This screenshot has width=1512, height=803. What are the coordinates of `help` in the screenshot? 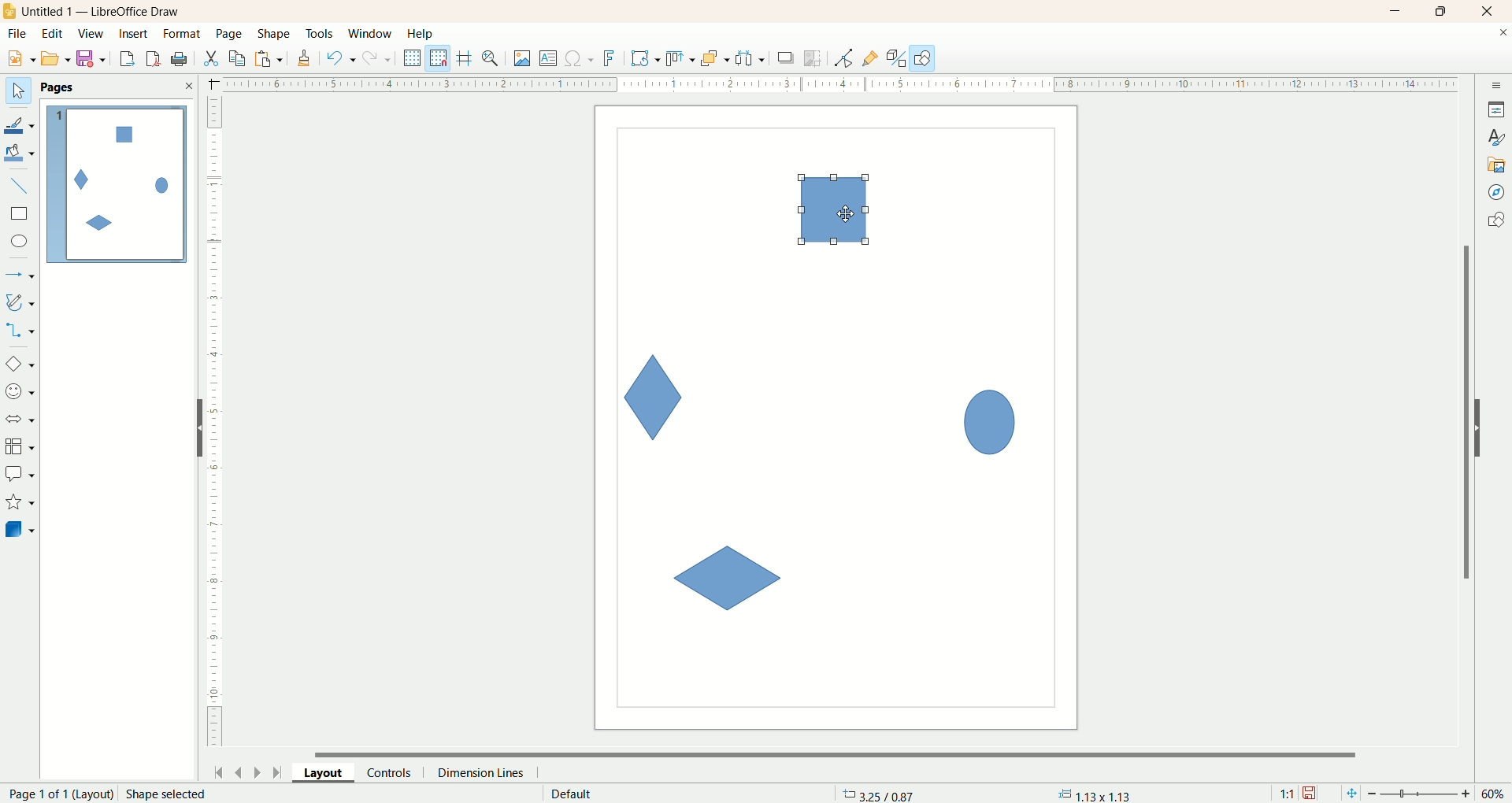 It's located at (421, 34).